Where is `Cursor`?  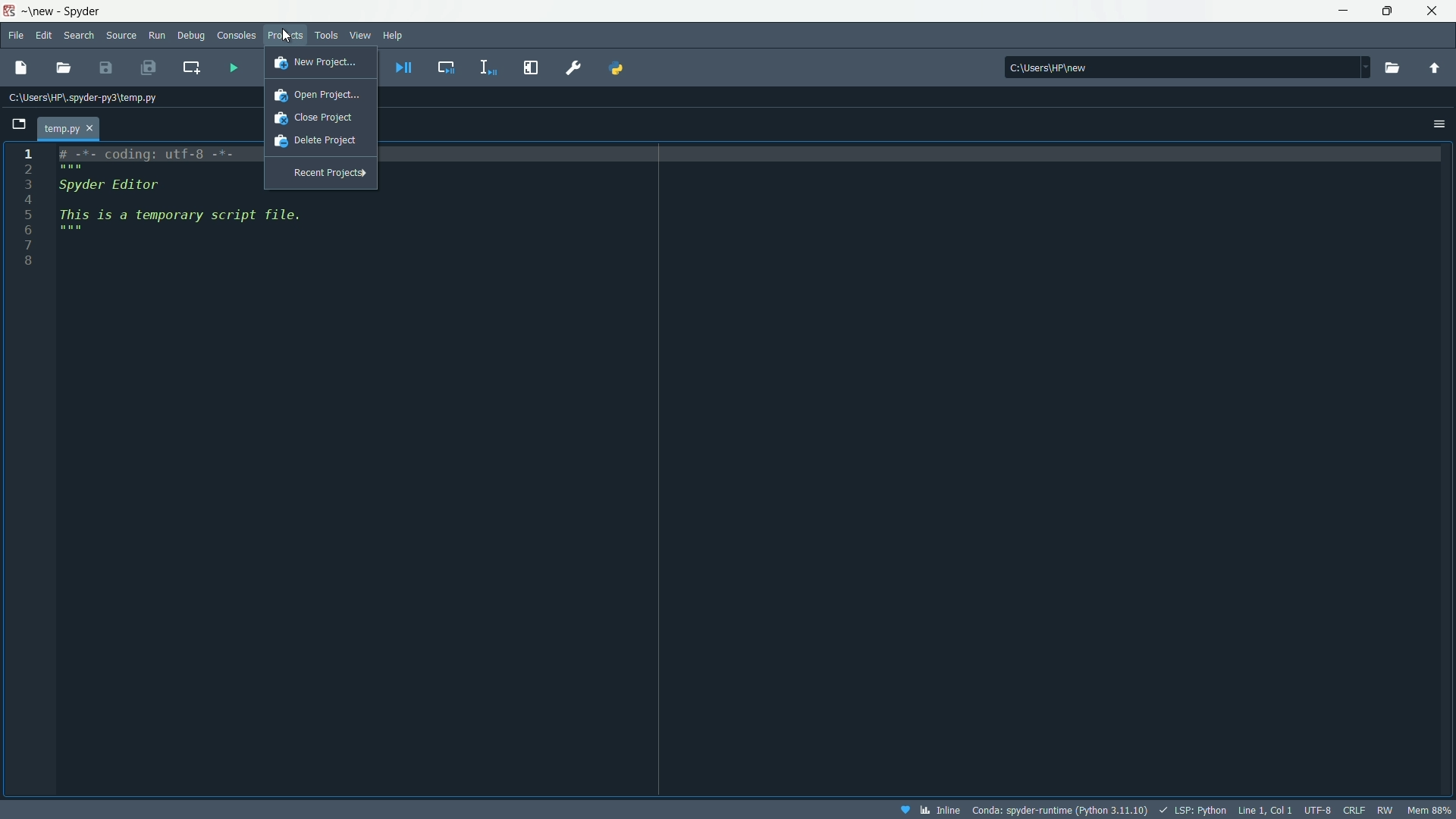
Cursor is located at coordinates (287, 37).